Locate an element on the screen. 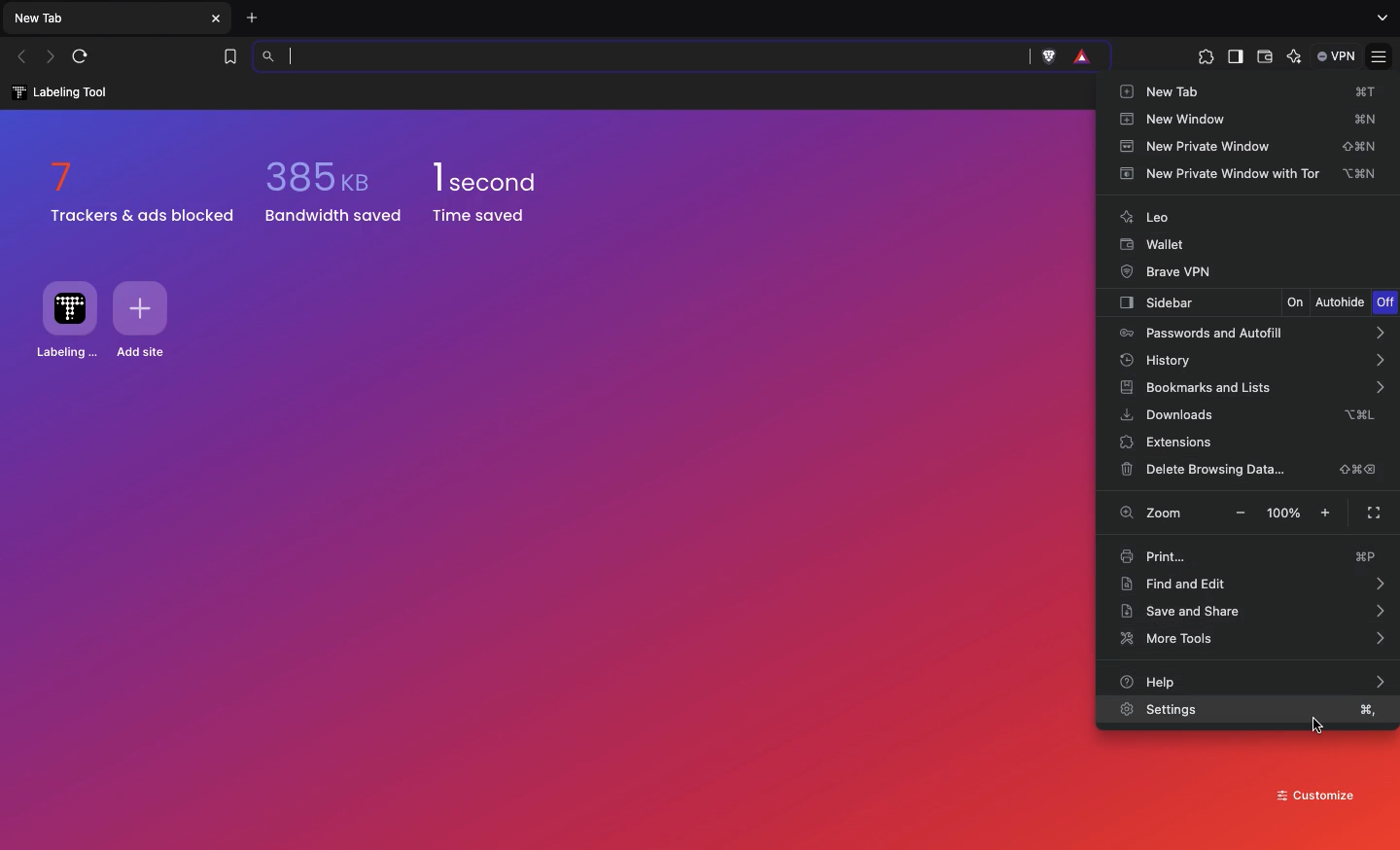  Off is located at coordinates (1384, 301).